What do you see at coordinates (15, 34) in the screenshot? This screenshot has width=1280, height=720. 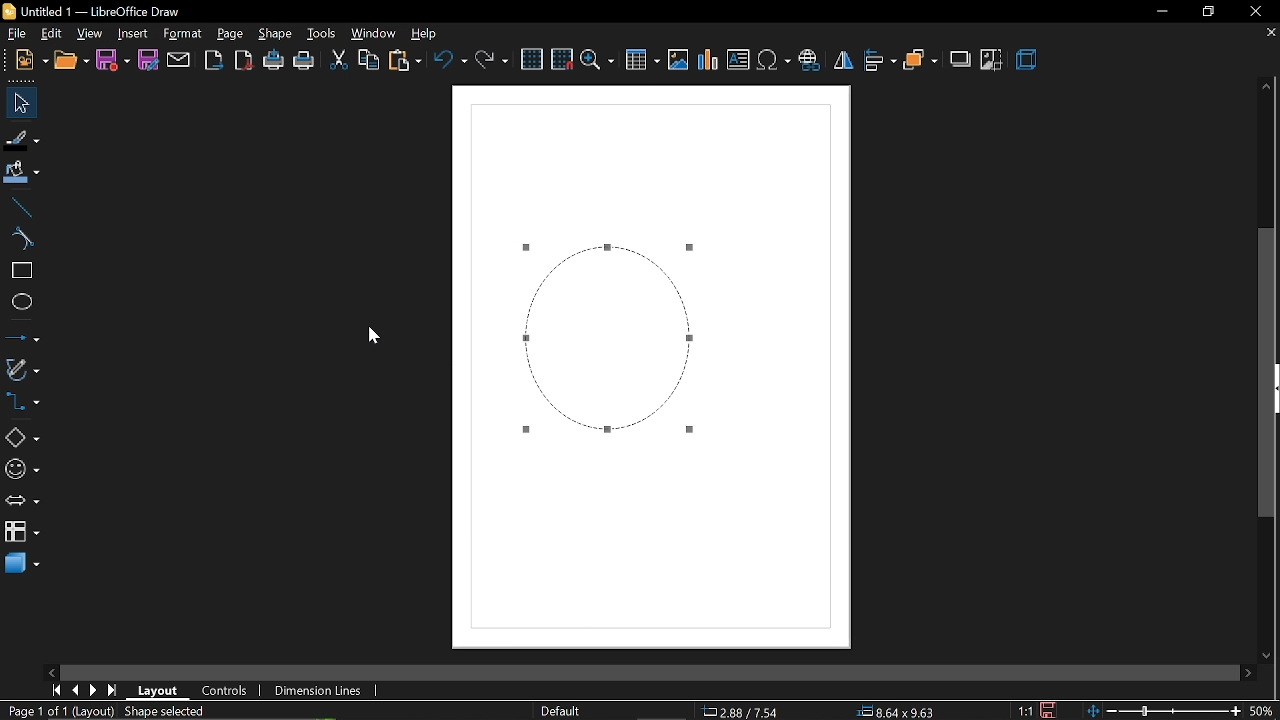 I see `file` at bounding box center [15, 34].